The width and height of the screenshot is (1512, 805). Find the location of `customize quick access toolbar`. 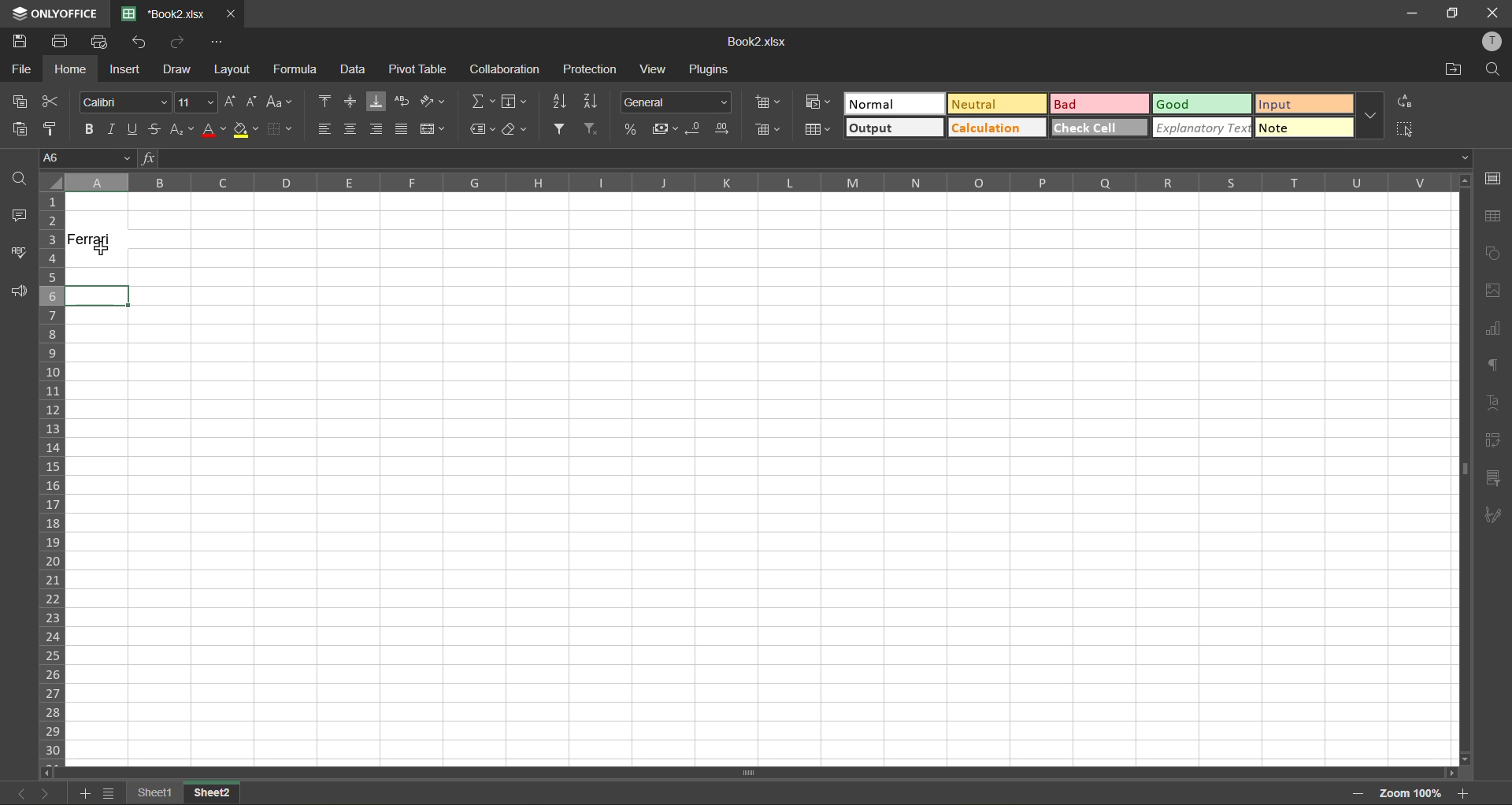

customize quick access toolbar is located at coordinates (218, 42).